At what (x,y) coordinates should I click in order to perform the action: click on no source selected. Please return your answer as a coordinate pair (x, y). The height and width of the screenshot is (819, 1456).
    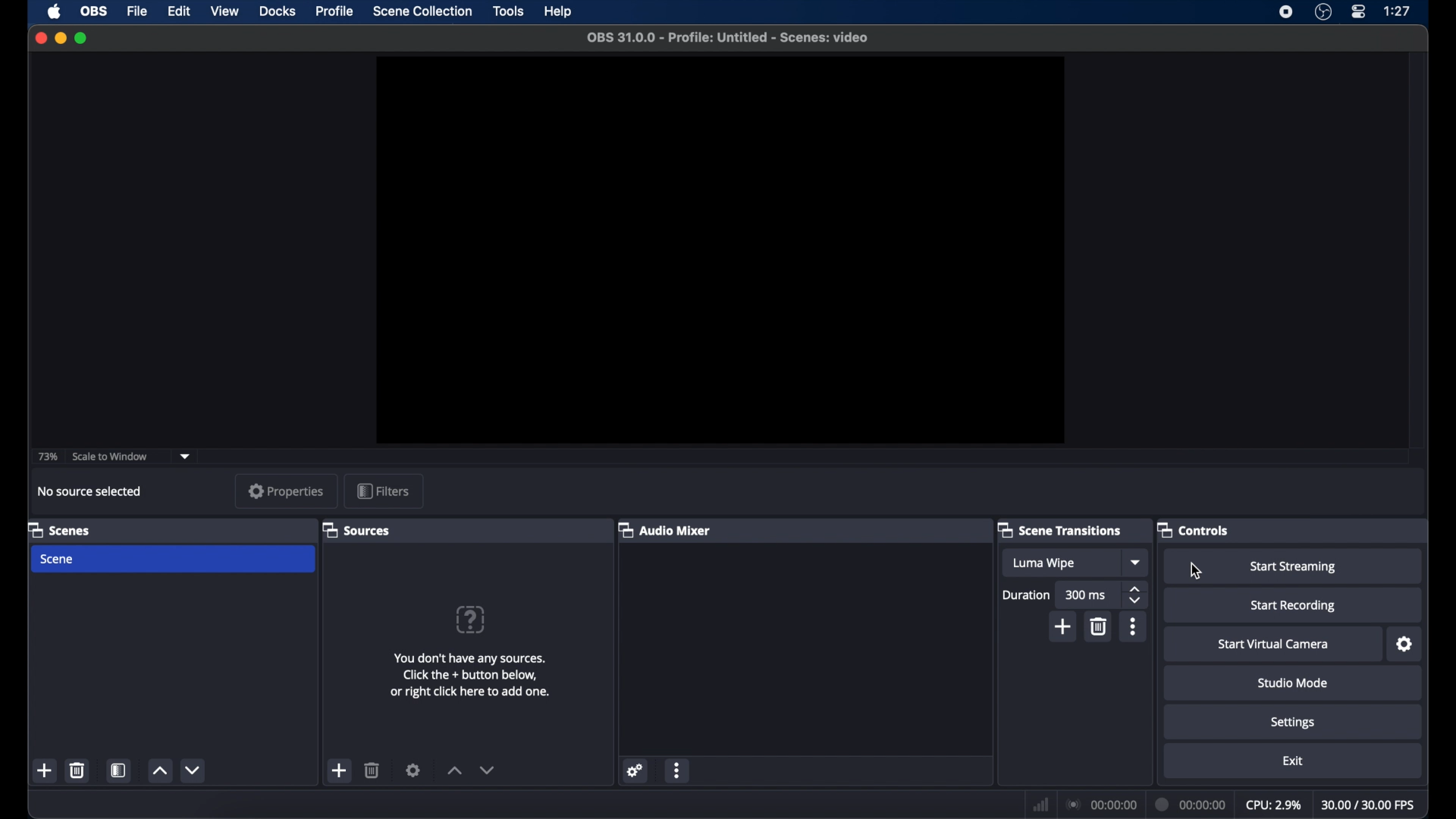
    Looking at the image, I should click on (92, 491).